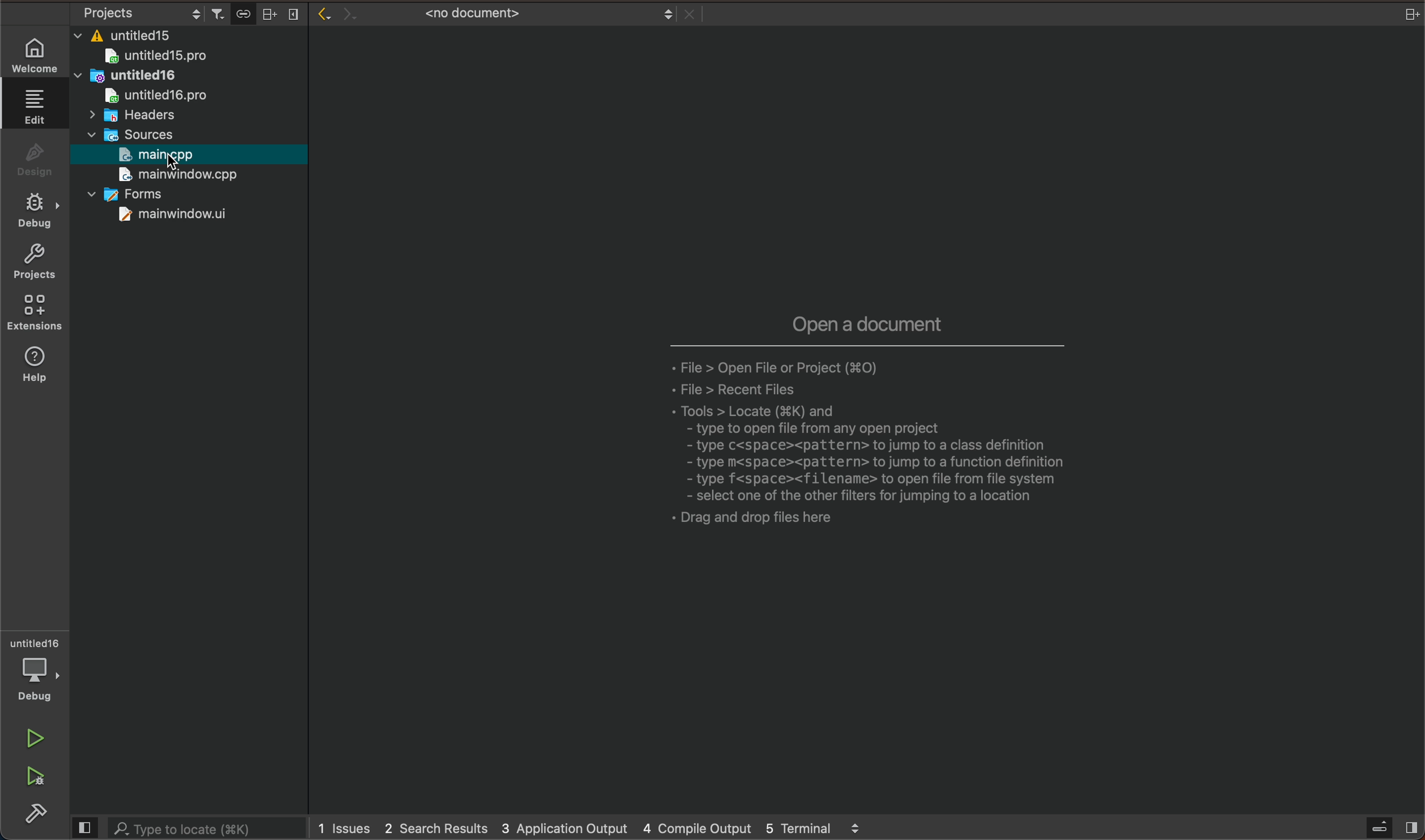  I want to click on mainwindow, so click(173, 215).